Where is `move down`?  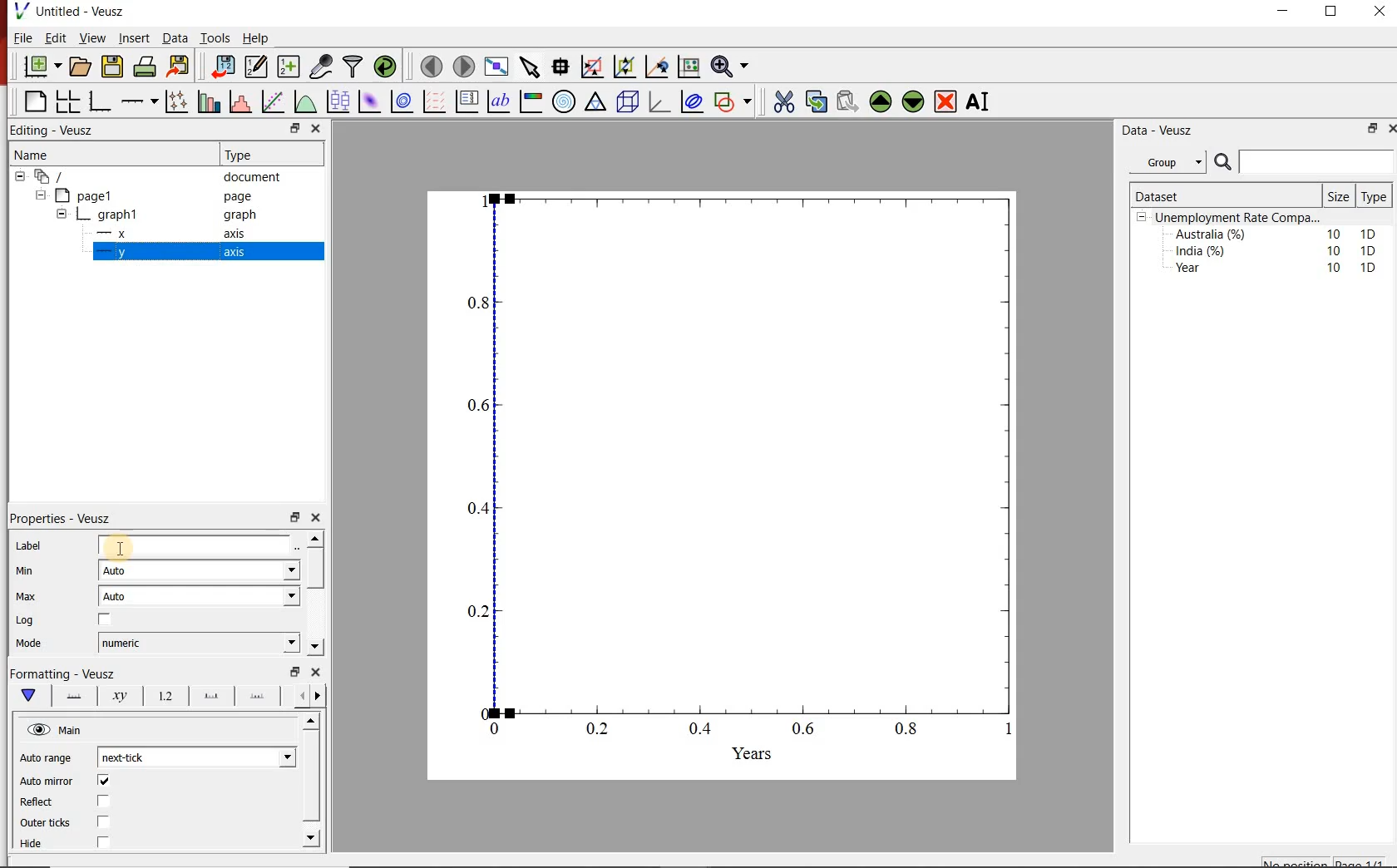 move down is located at coordinates (314, 646).